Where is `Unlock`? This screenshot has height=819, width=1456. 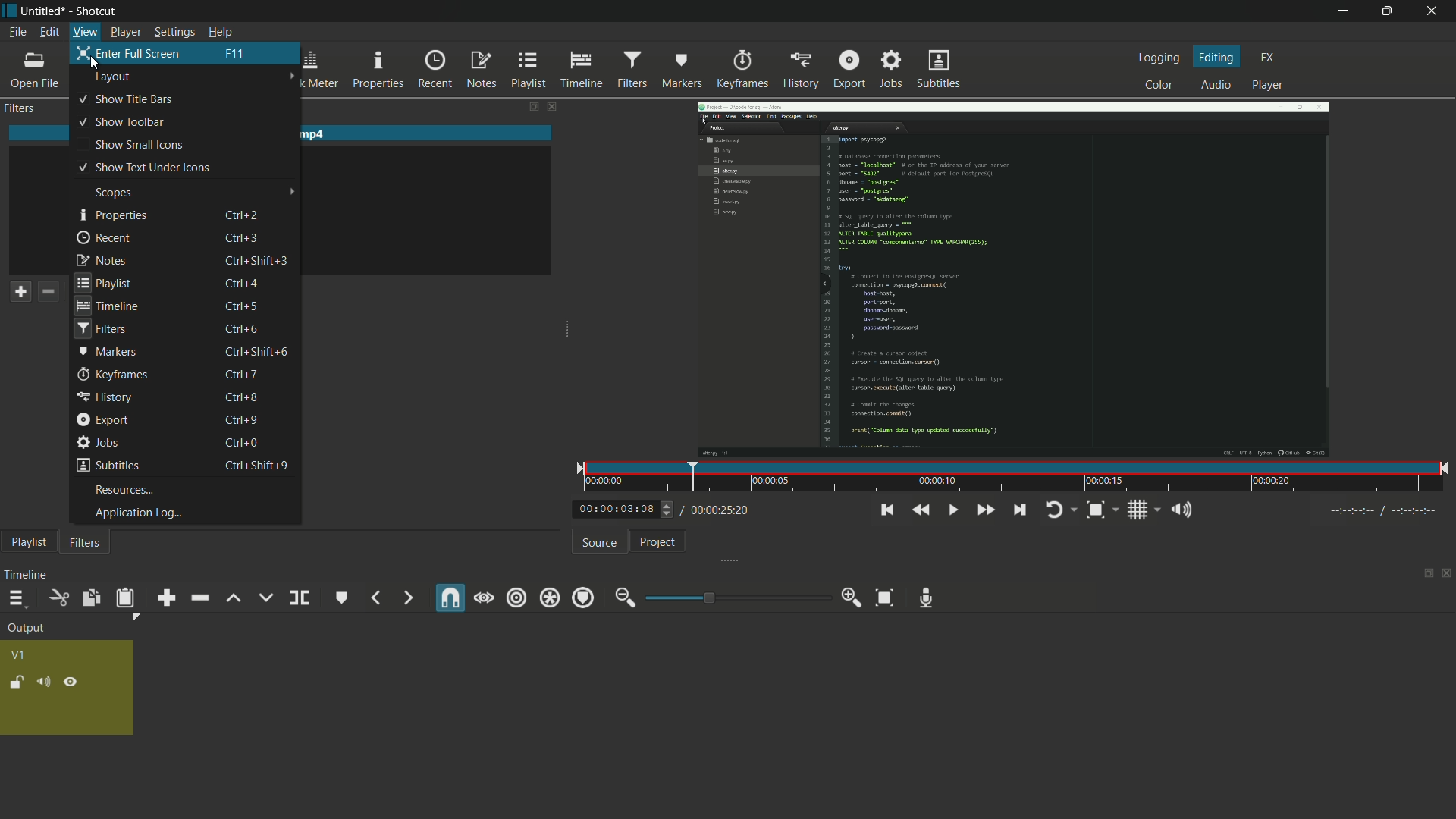
Unlock is located at coordinates (16, 684).